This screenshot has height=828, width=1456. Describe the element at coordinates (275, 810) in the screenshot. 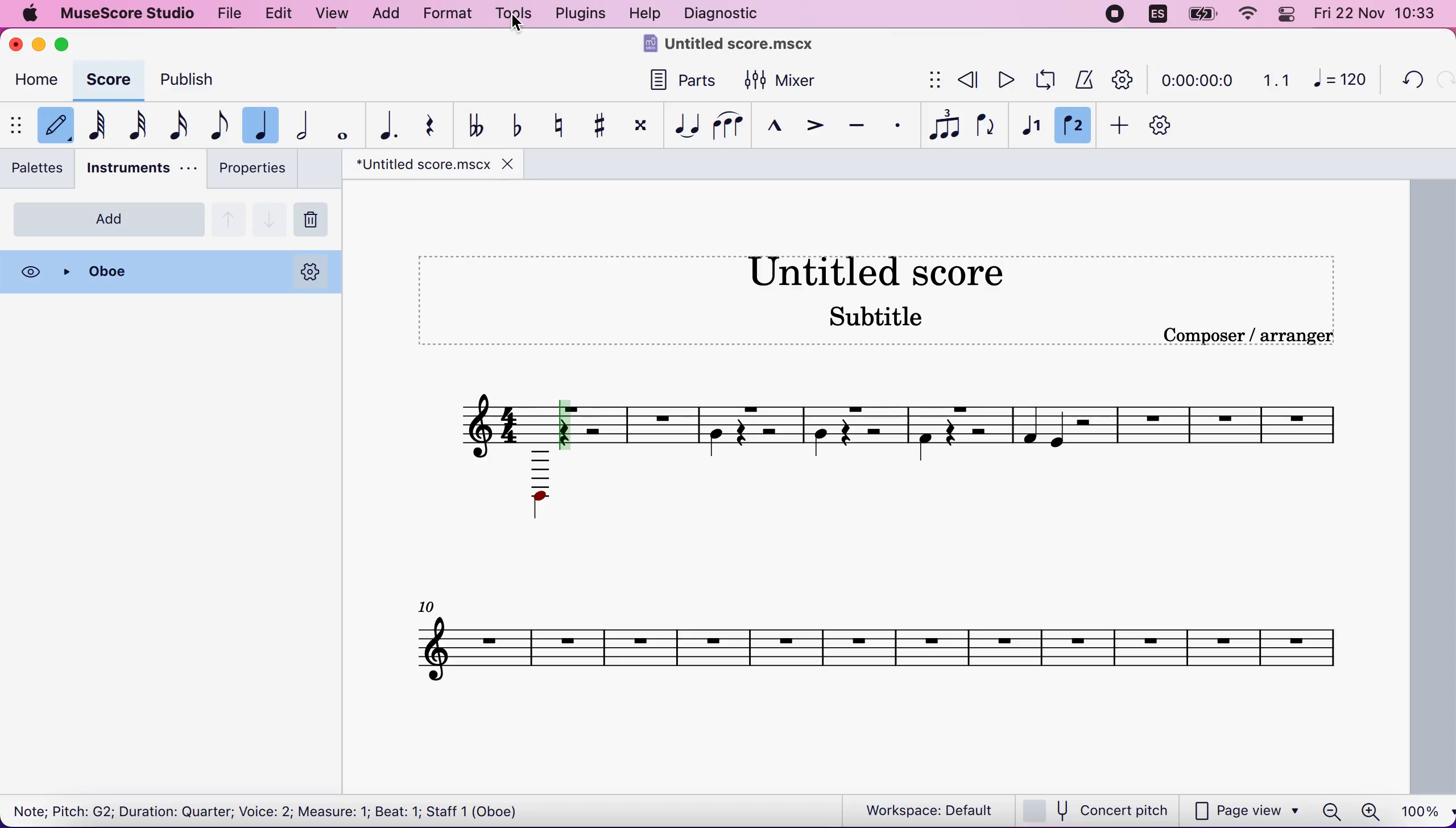

I see `Note; Pitch: G2; Duration: Quarter; Voice: 2; Measure: 1; Beat: 1; Staff 1 (Oboe)` at that location.